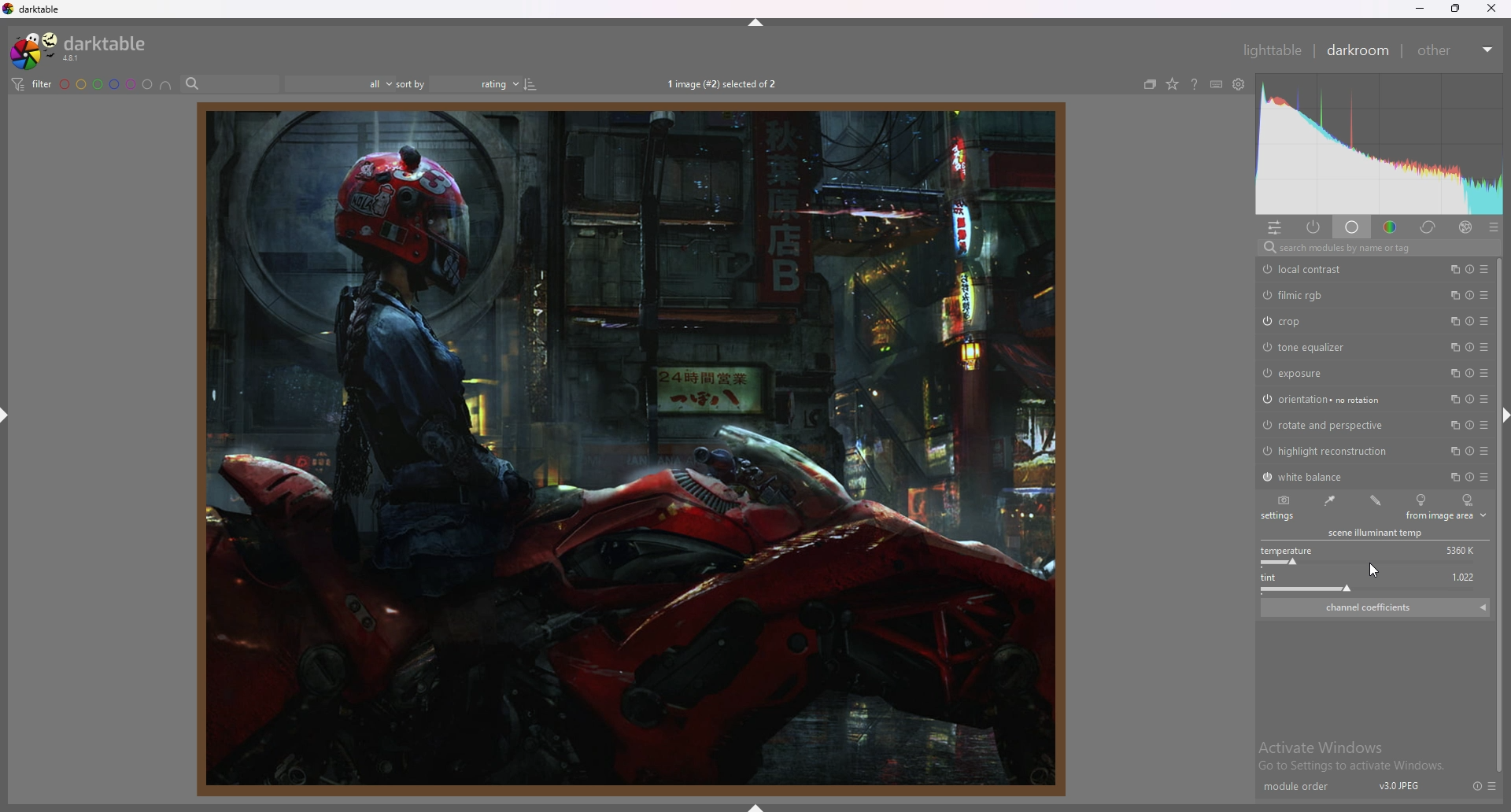  Describe the element at coordinates (230, 84) in the screenshot. I see `search bar` at that location.